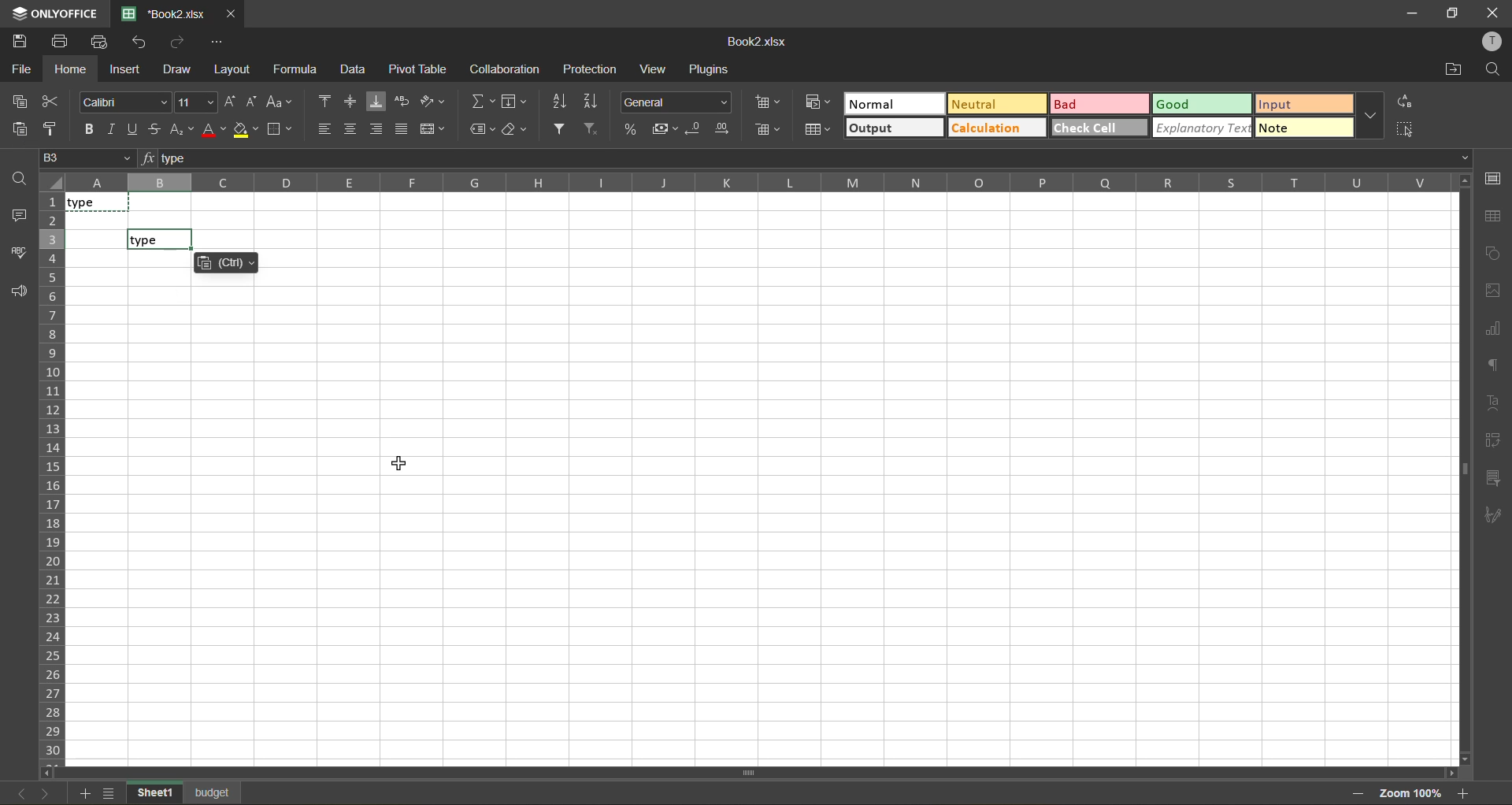  What do you see at coordinates (712, 69) in the screenshot?
I see `plugins` at bounding box center [712, 69].